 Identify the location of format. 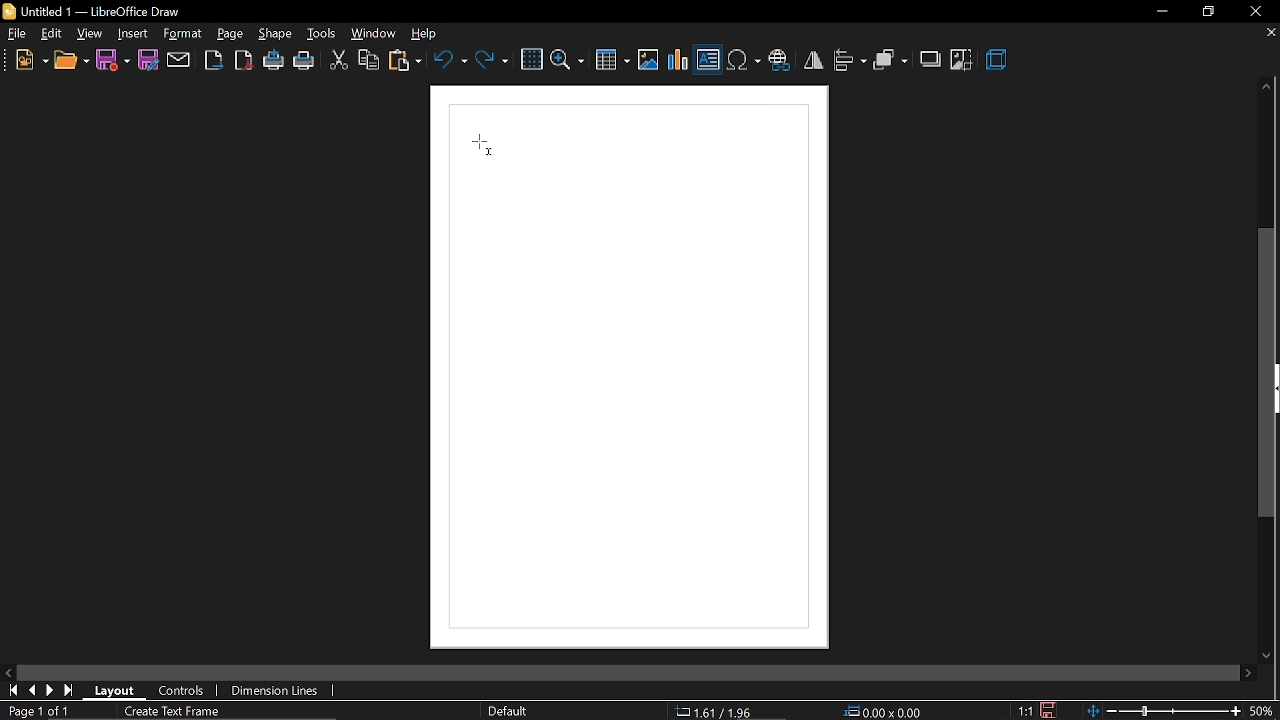
(182, 33).